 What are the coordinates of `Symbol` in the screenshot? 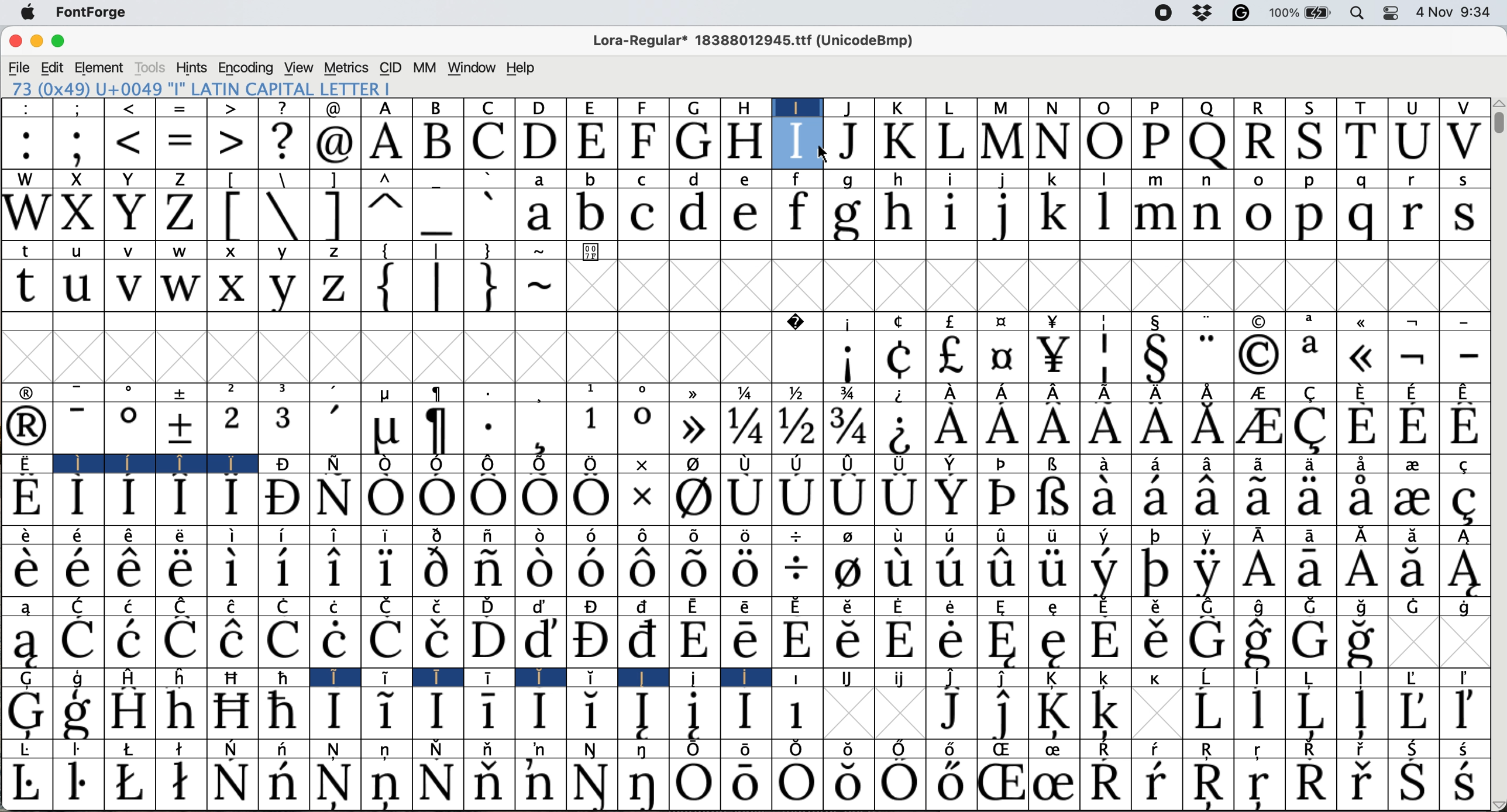 It's located at (1156, 498).